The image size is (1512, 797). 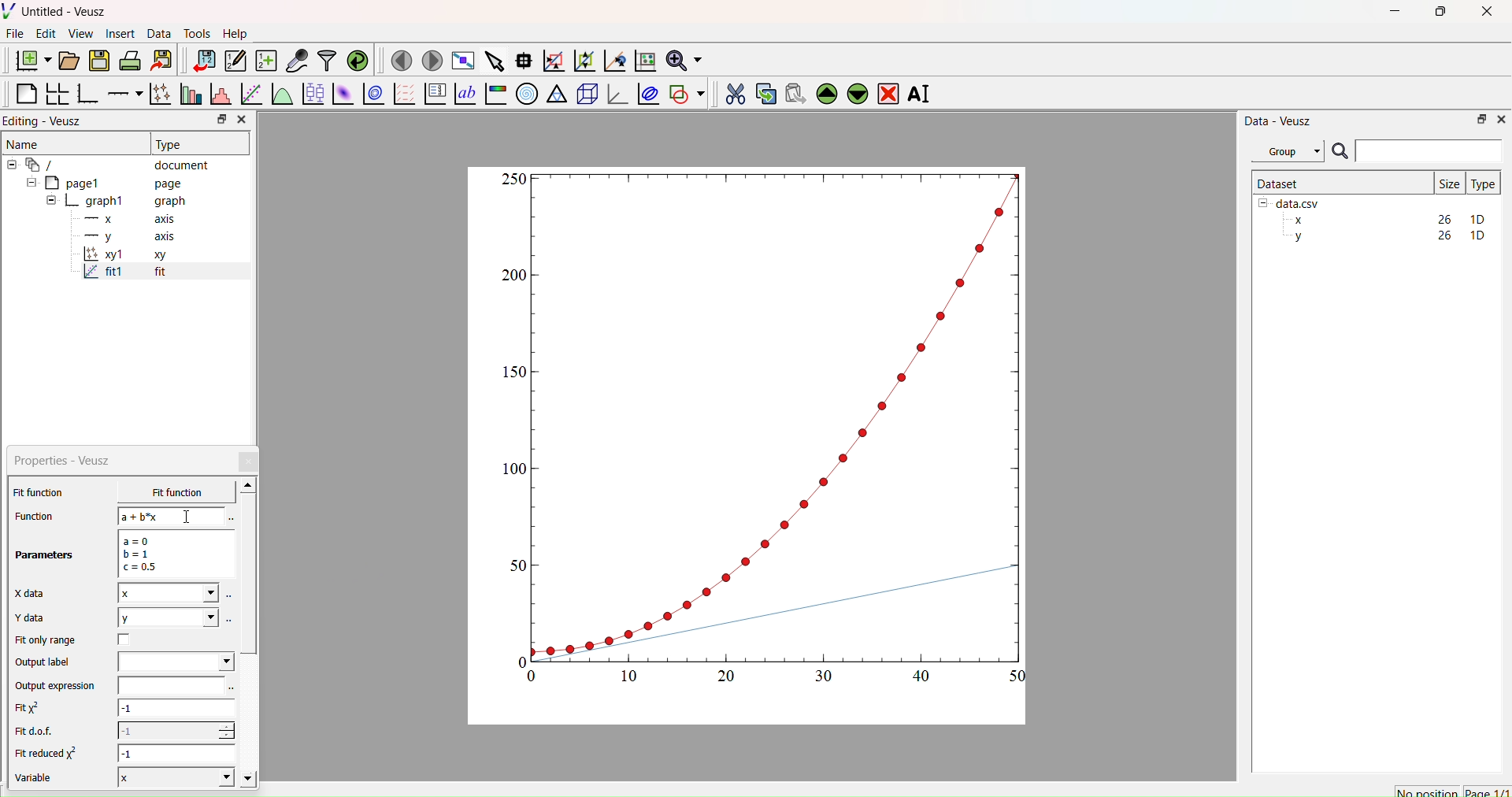 What do you see at coordinates (1287, 151) in the screenshot?
I see `Group ` at bounding box center [1287, 151].